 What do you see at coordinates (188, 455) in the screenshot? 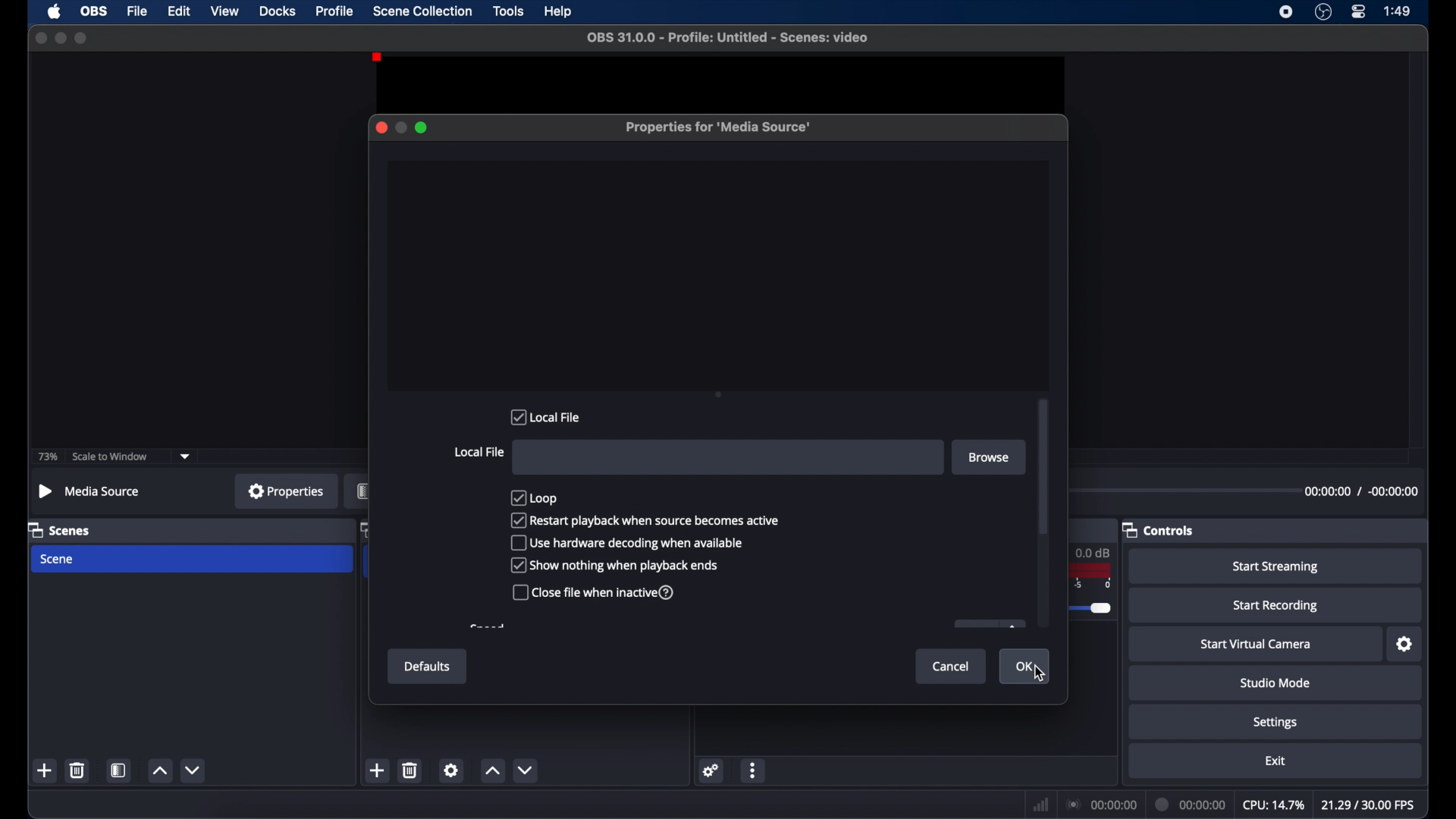
I see `down arrow` at bounding box center [188, 455].